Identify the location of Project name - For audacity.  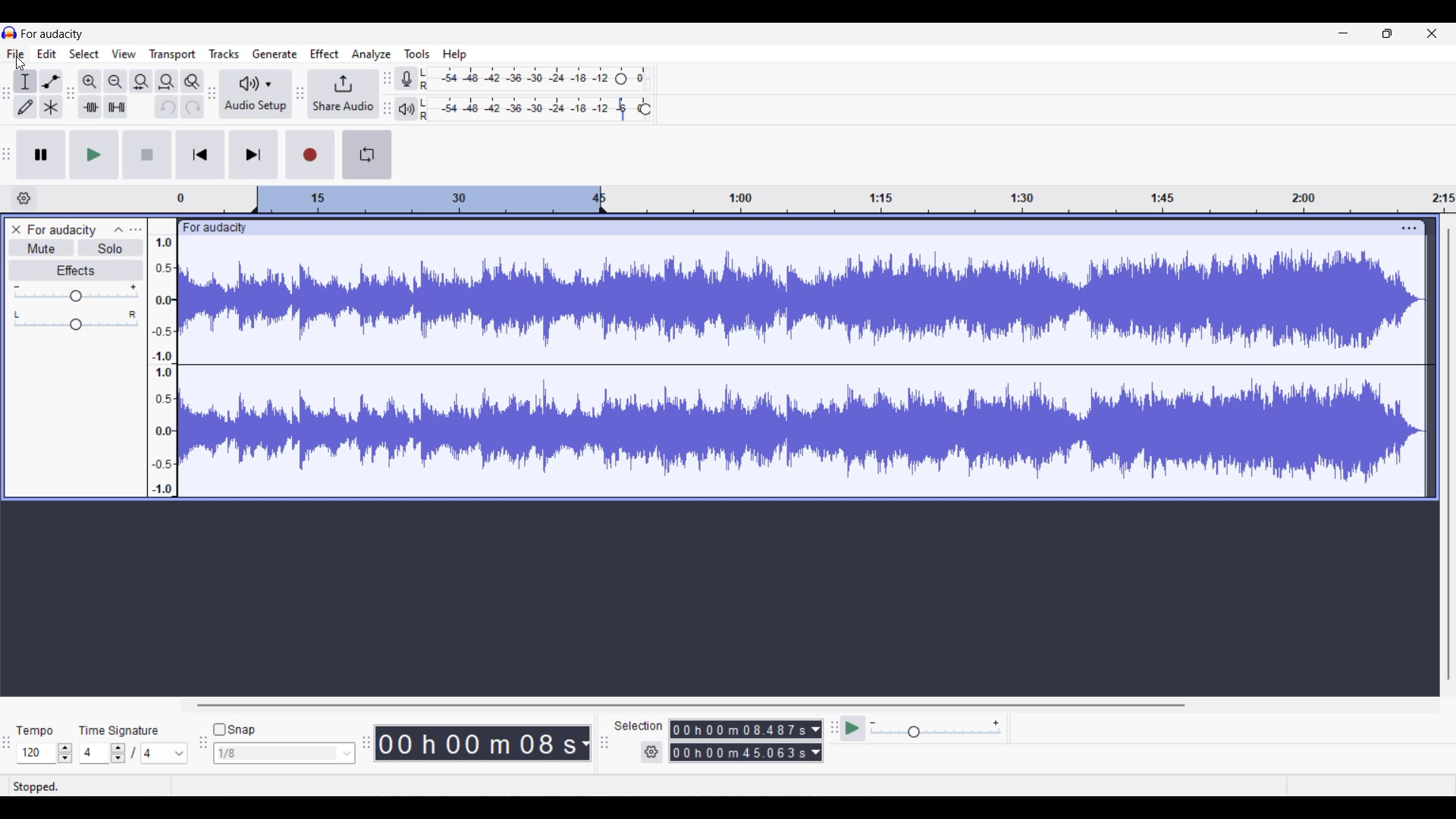
(53, 34).